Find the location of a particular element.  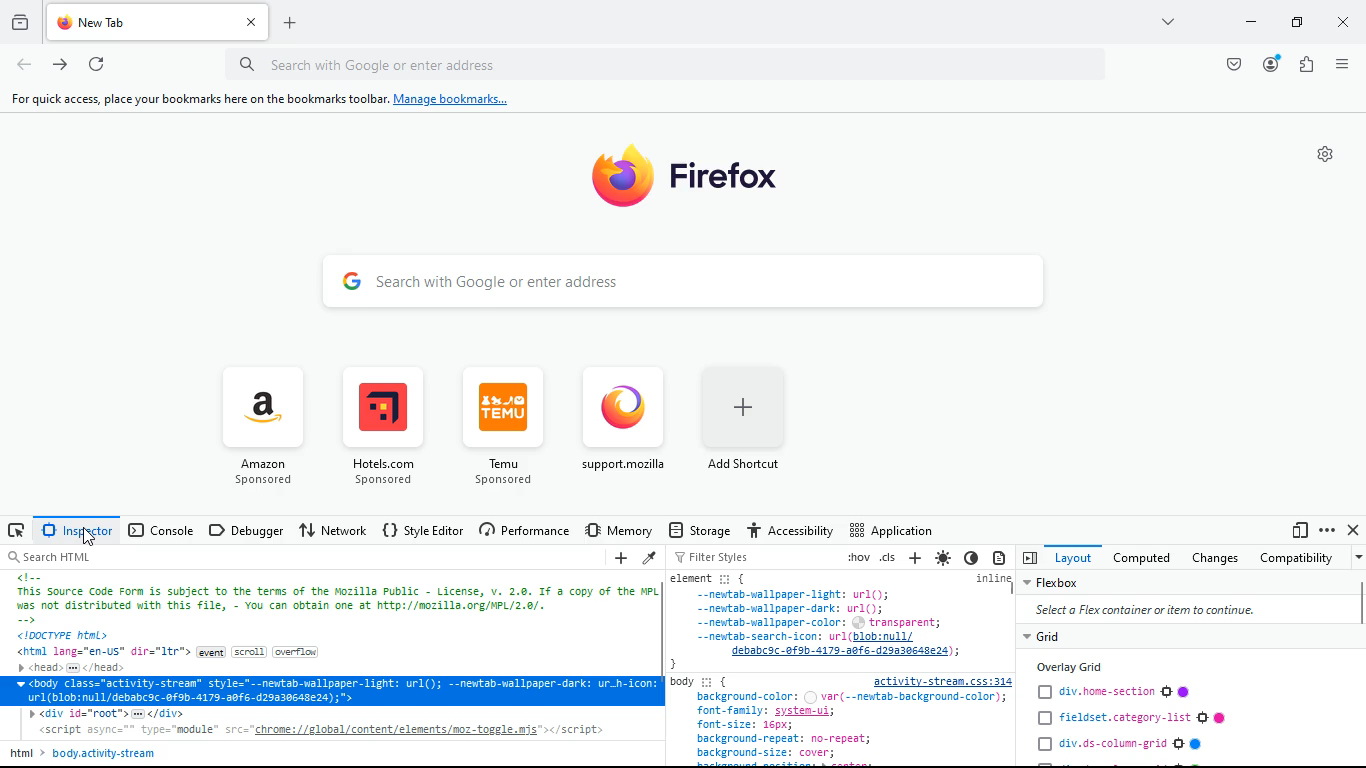

more is located at coordinates (915, 558).